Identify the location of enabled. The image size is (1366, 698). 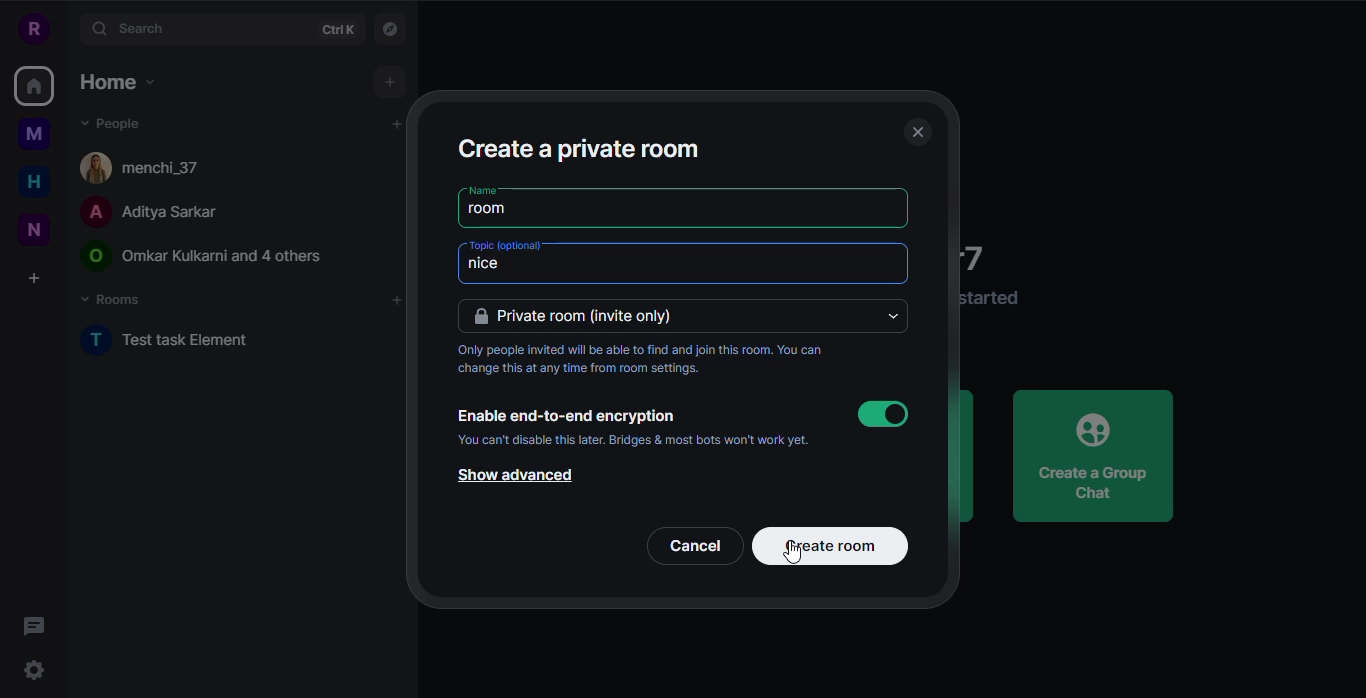
(883, 414).